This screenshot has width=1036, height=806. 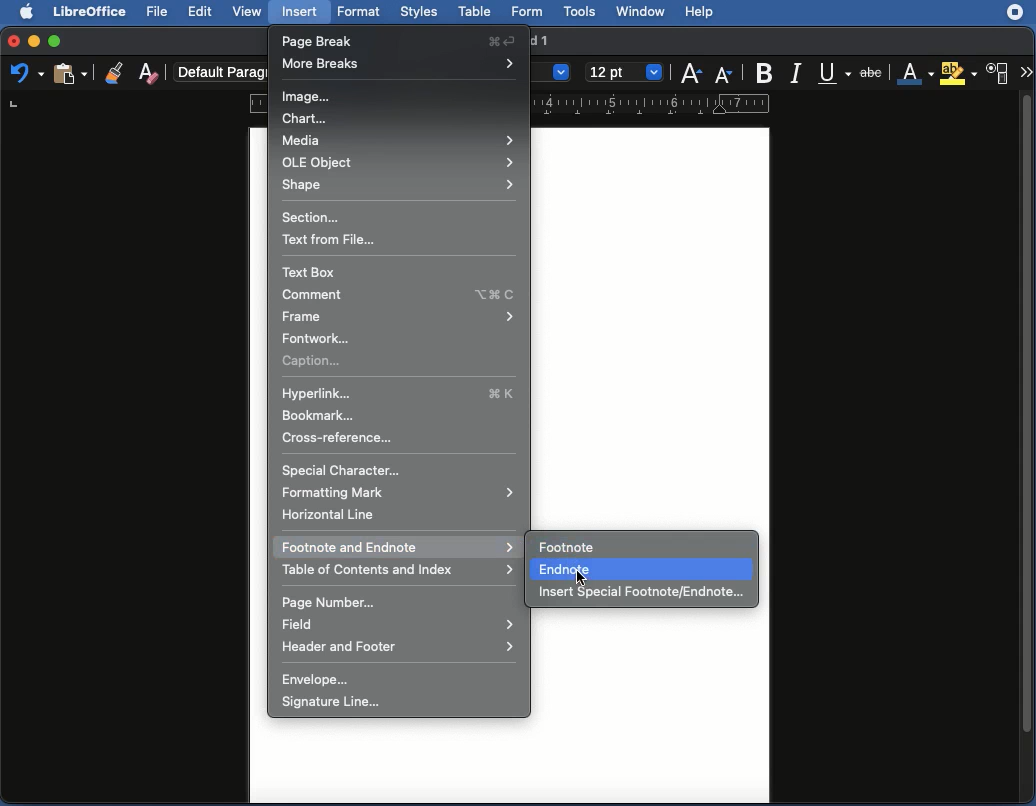 I want to click on Paste, so click(x=69, y=73).